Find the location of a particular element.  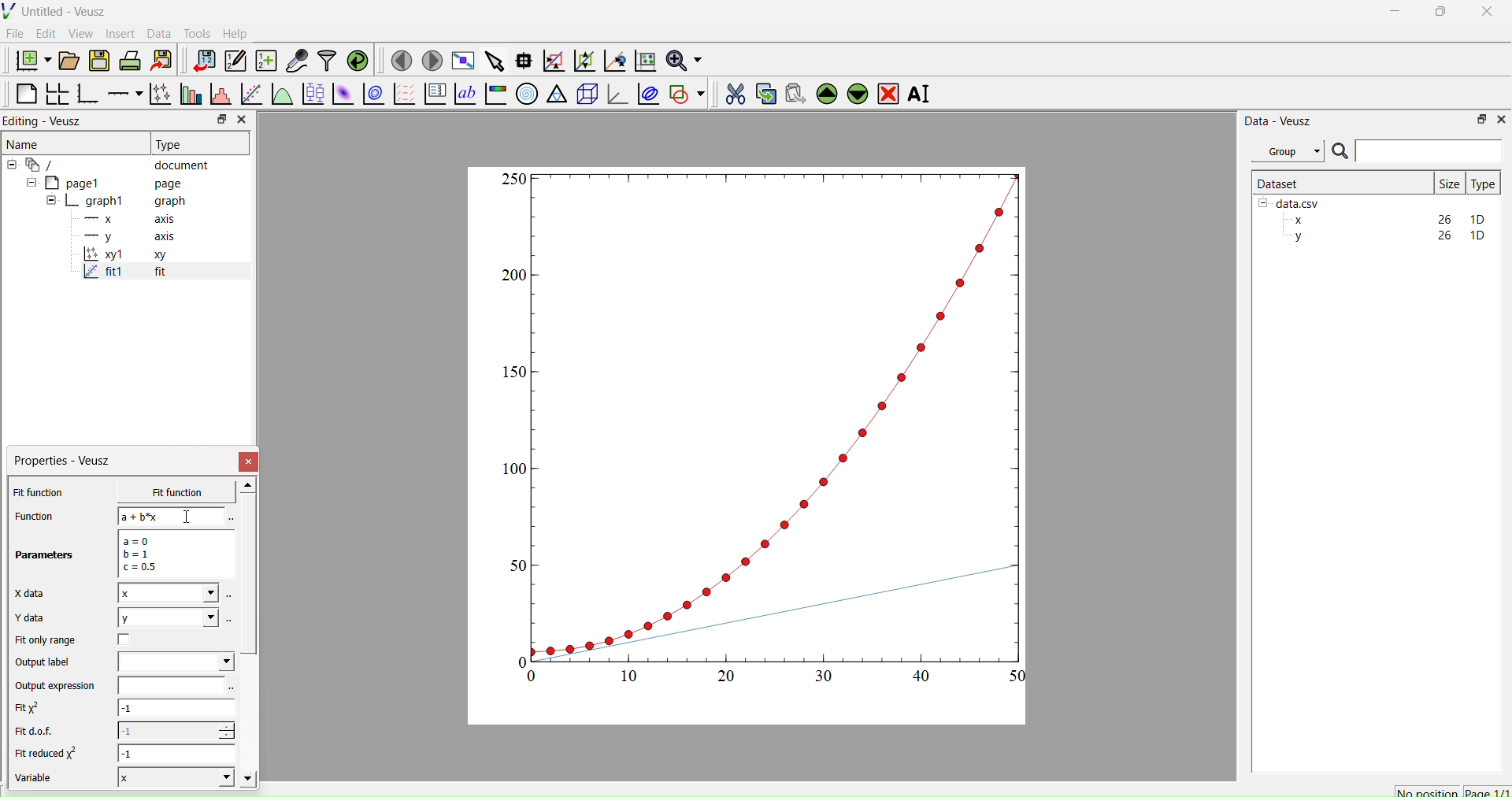

Rename is located at coordinates (922, 94).